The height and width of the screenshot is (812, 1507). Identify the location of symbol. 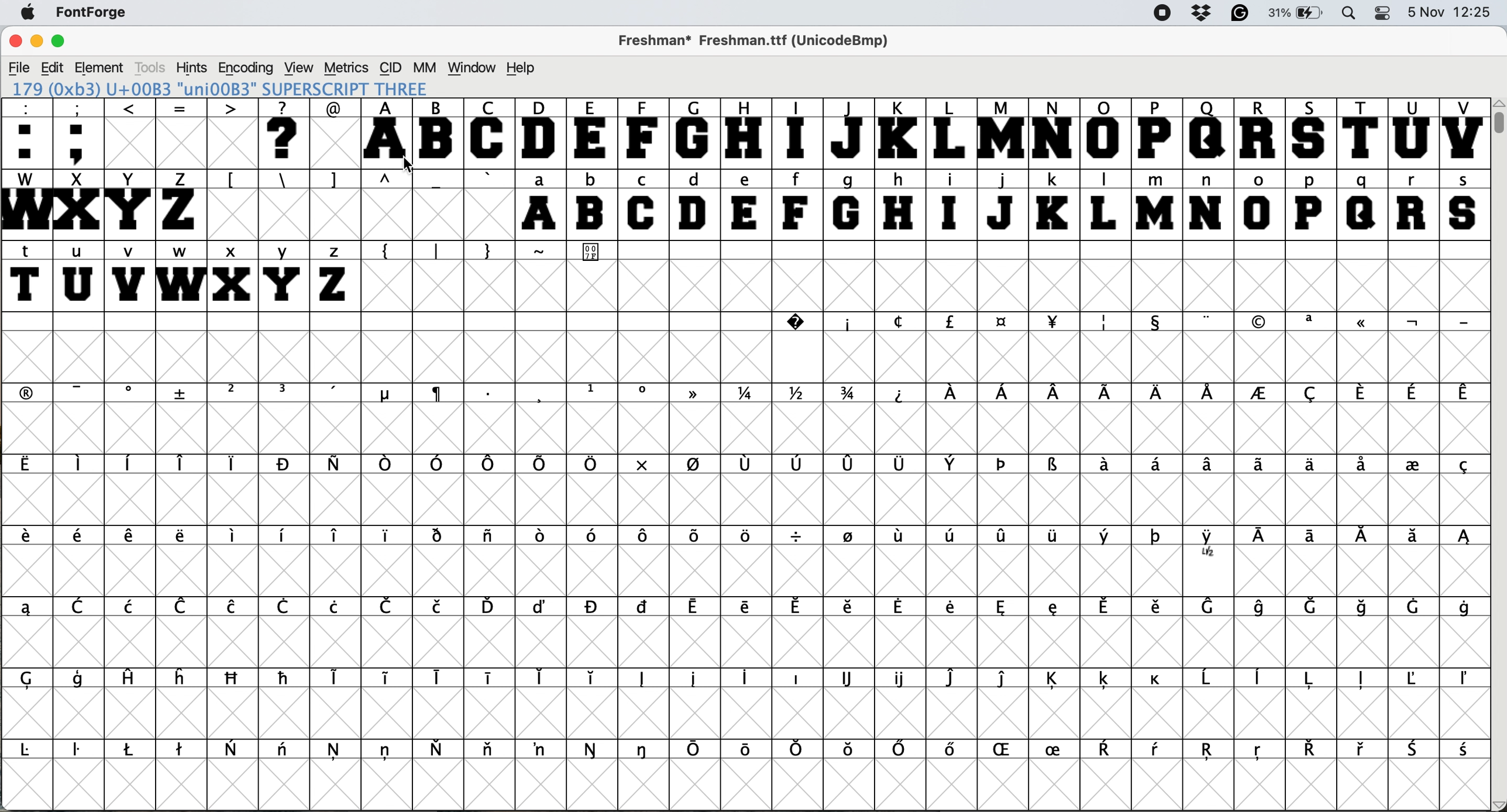
(441, 748).